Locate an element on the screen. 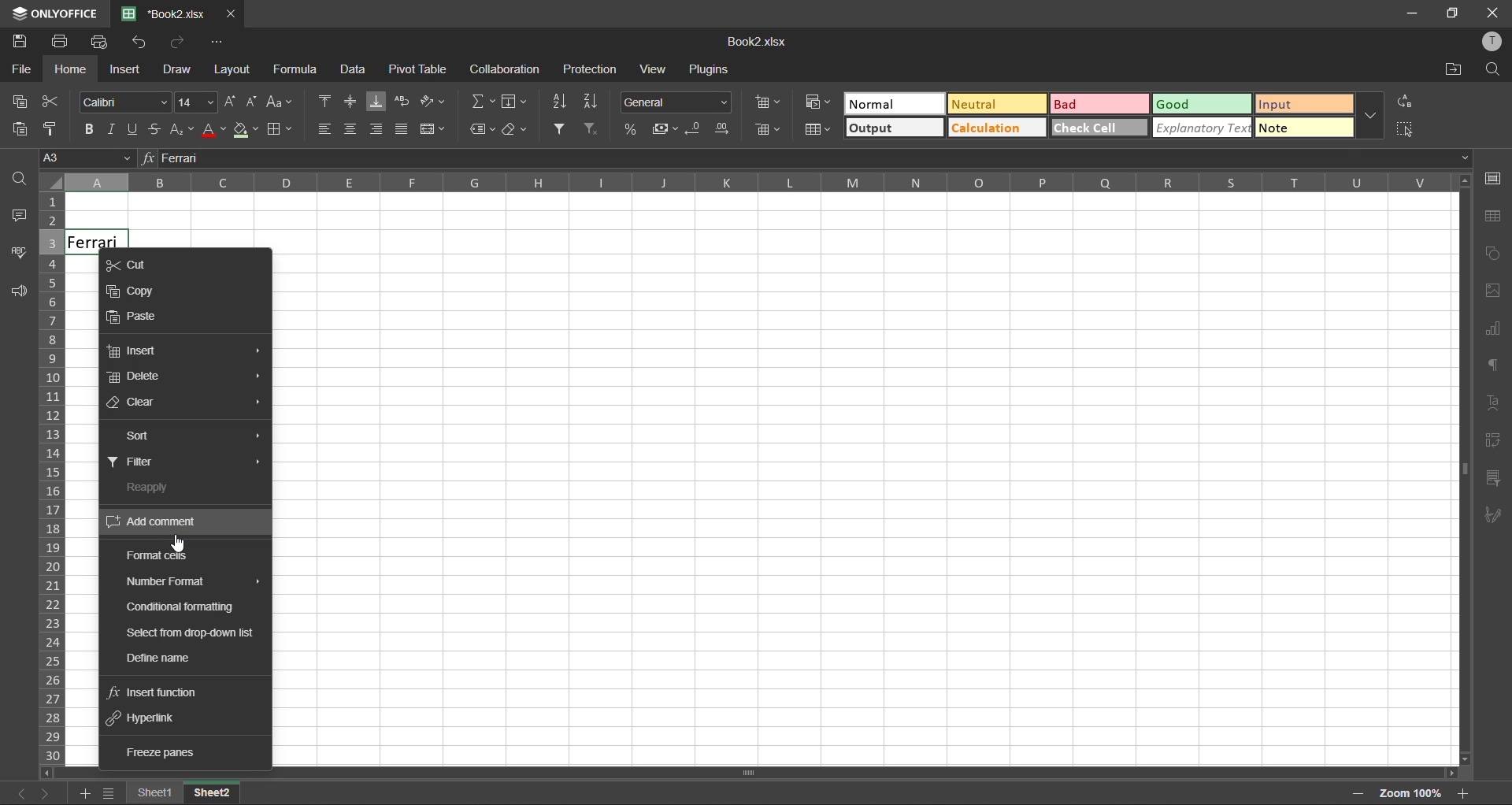 The image size is (1512, 805). font style is located at coordinates (124, 102).